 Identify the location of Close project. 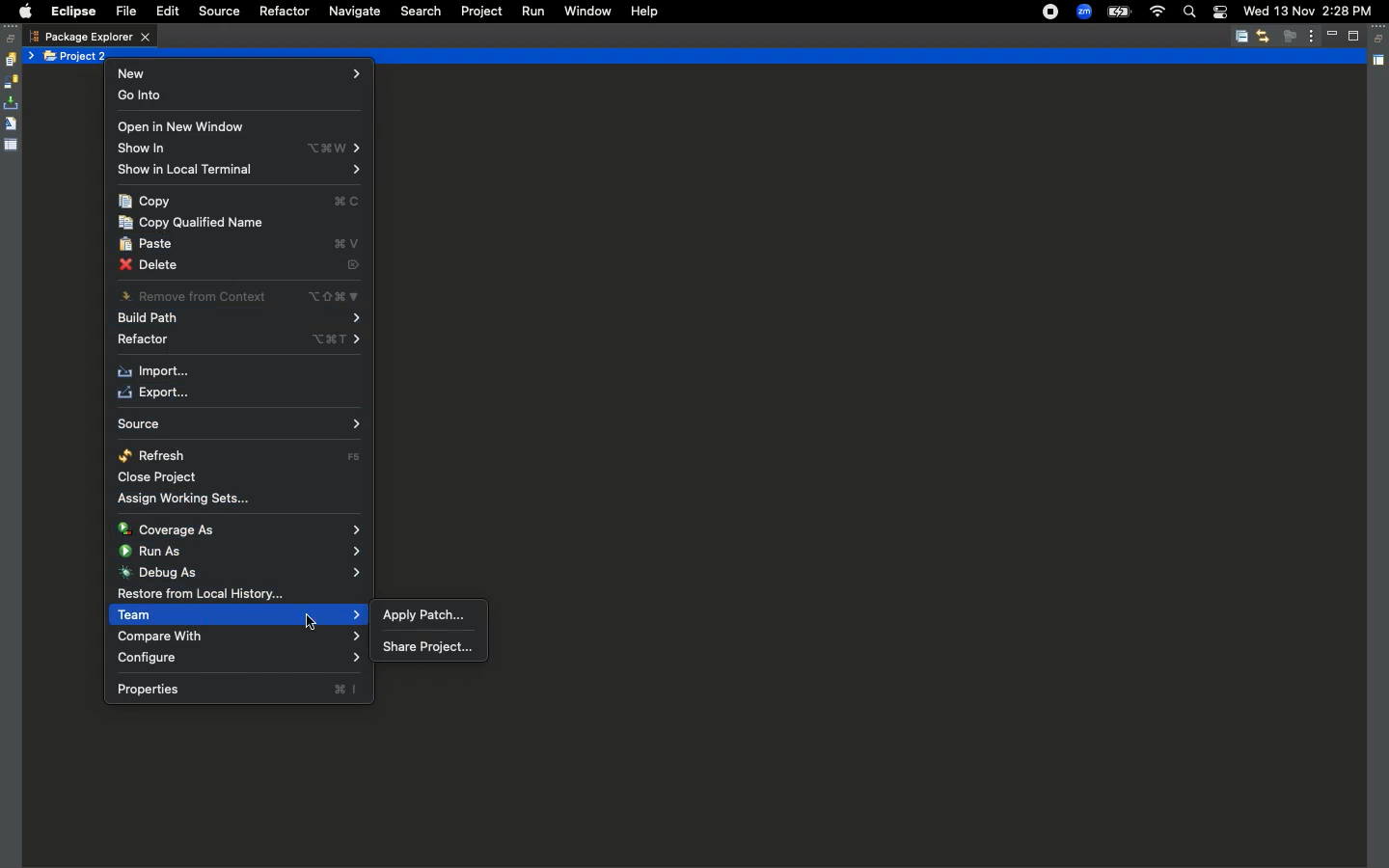
(162, 478).